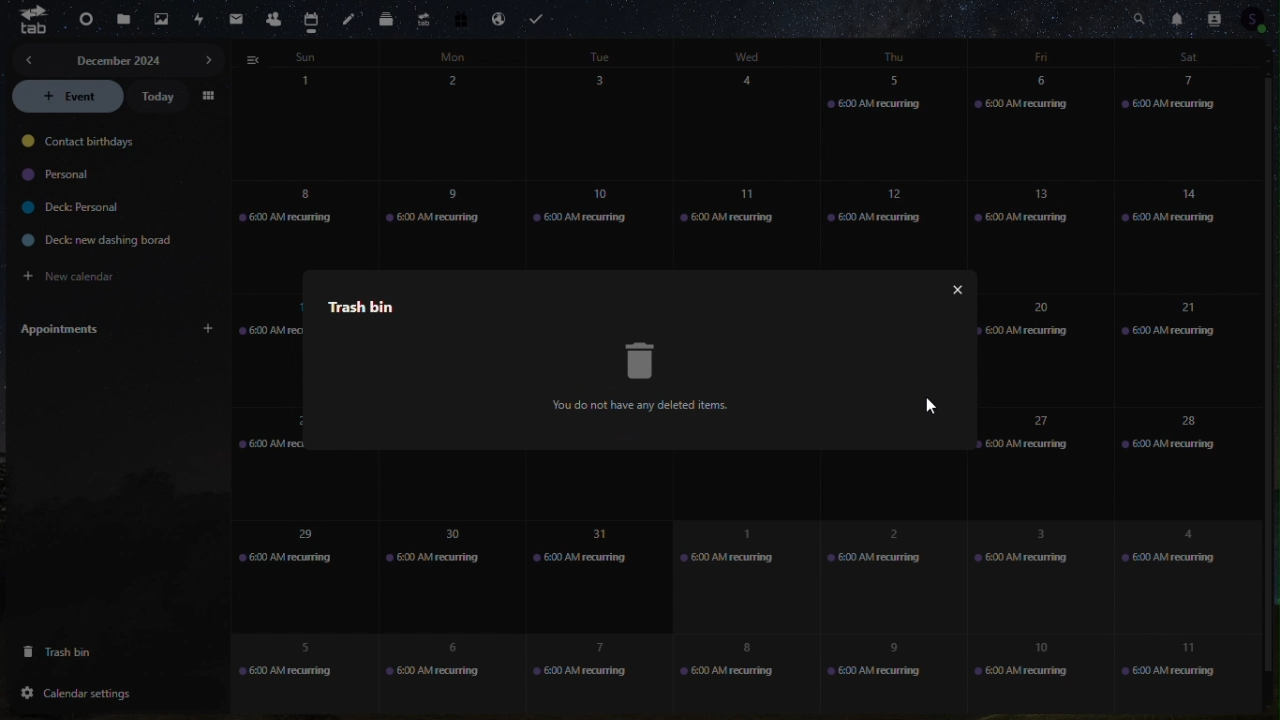 This screenshot has width=1280, height=720. I want to click on files, so click(121, 17).